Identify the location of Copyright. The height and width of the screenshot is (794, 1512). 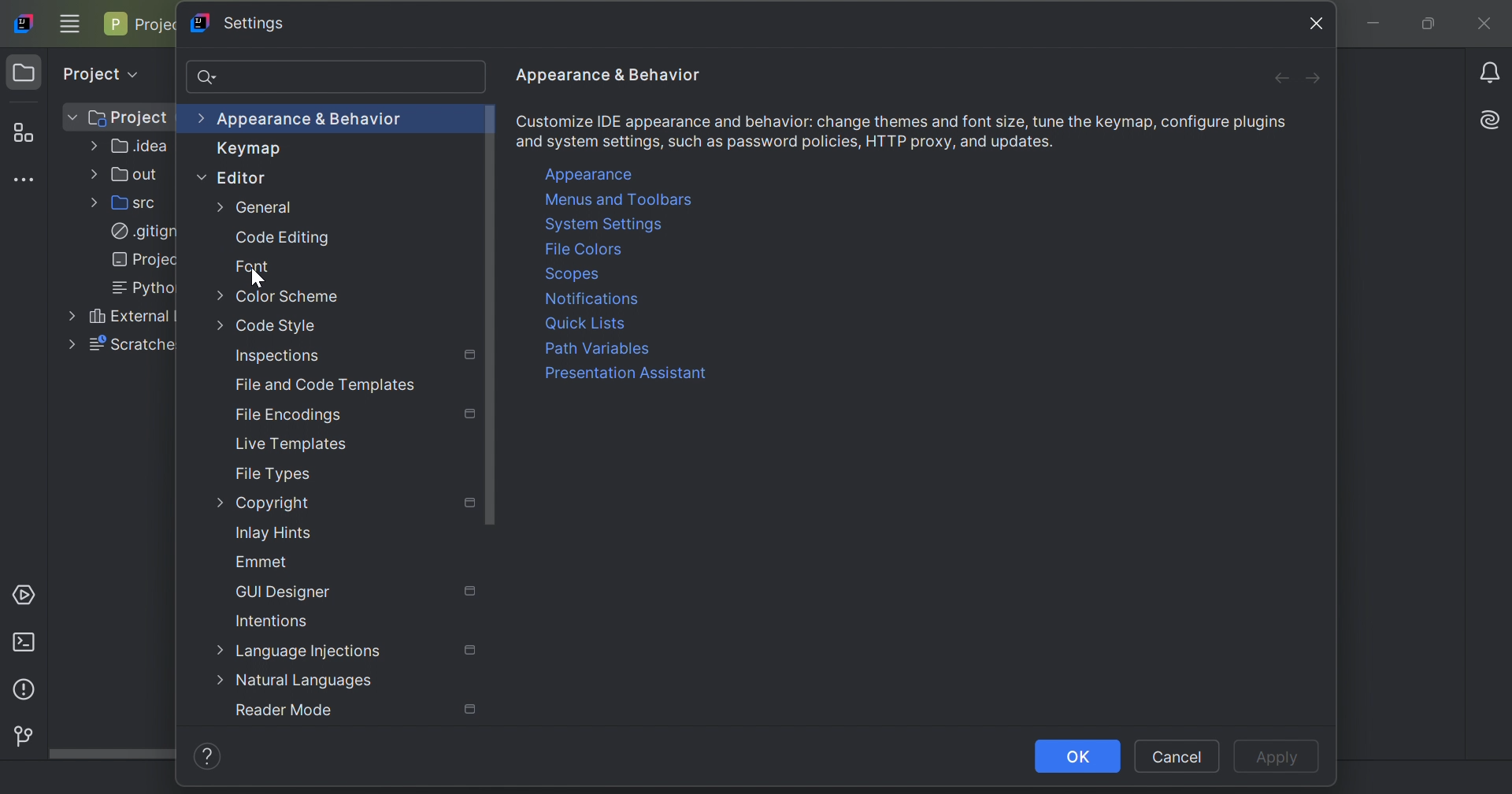
(265, 504).